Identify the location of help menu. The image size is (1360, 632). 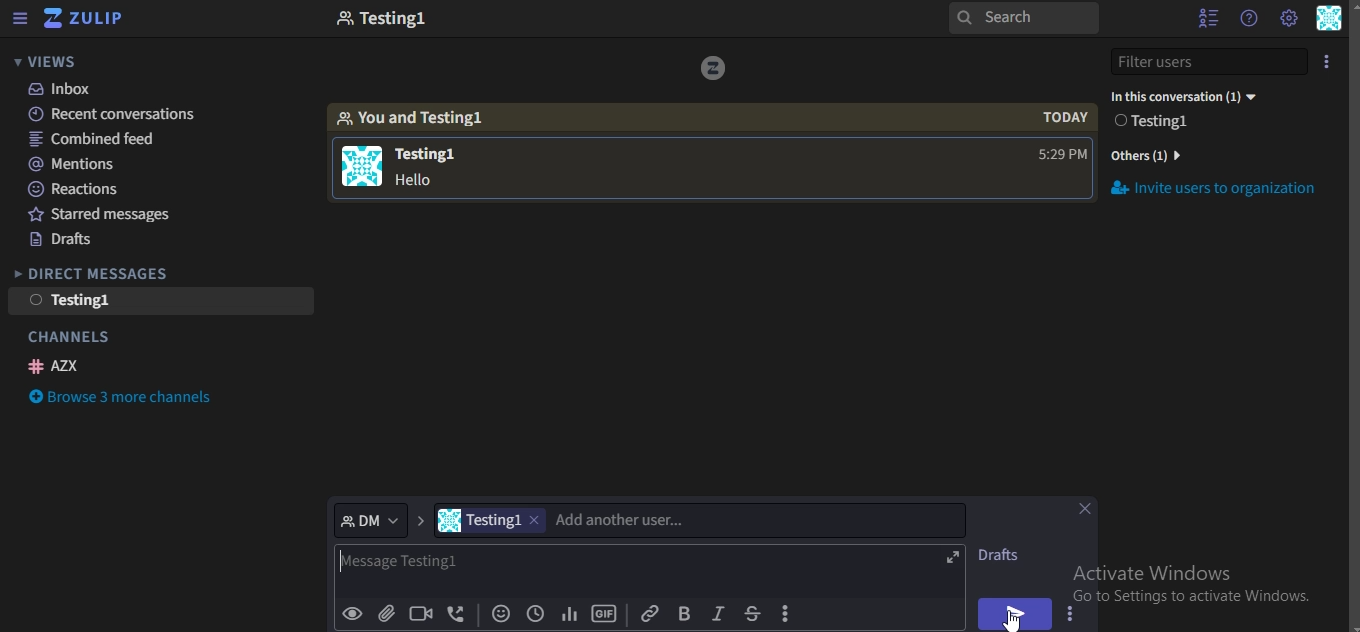
(1248, 18).